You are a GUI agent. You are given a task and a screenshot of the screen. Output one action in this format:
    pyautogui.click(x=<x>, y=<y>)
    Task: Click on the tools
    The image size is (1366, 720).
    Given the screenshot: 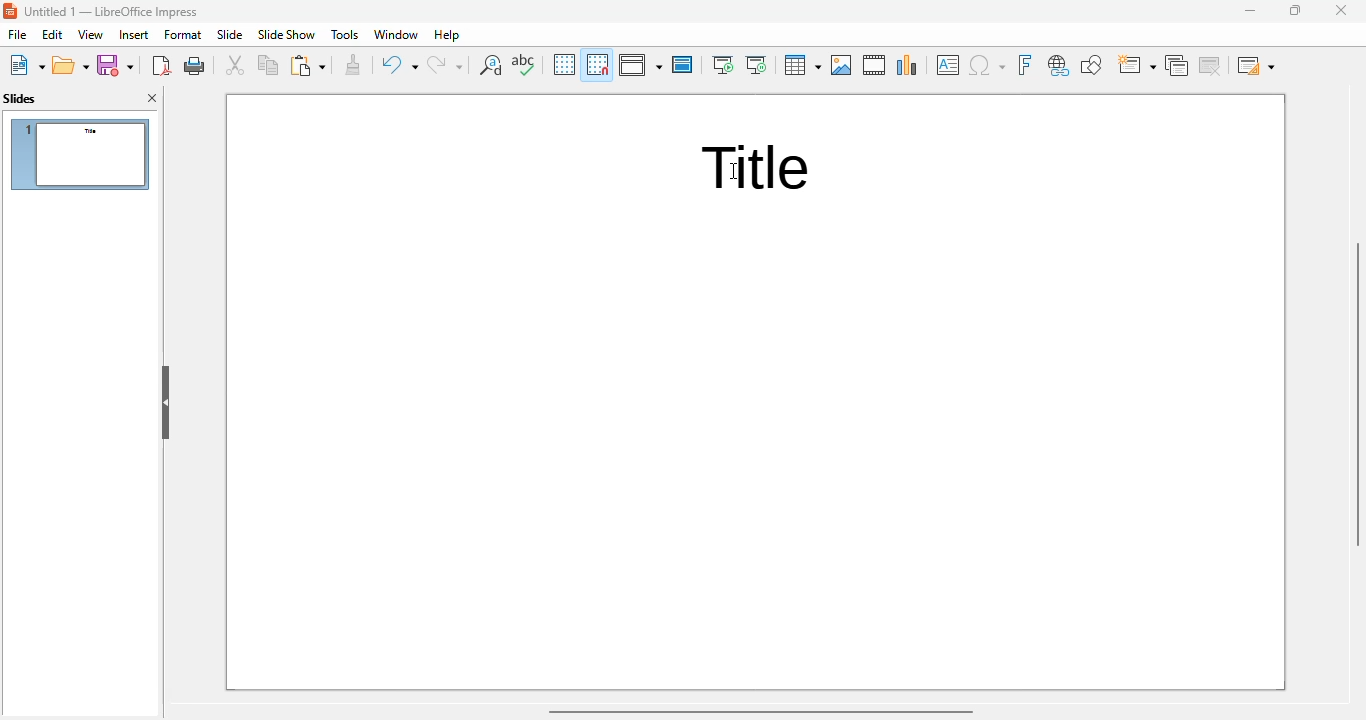 What is the action you would take?
    pyautogui.click(x=345, y=35)
    